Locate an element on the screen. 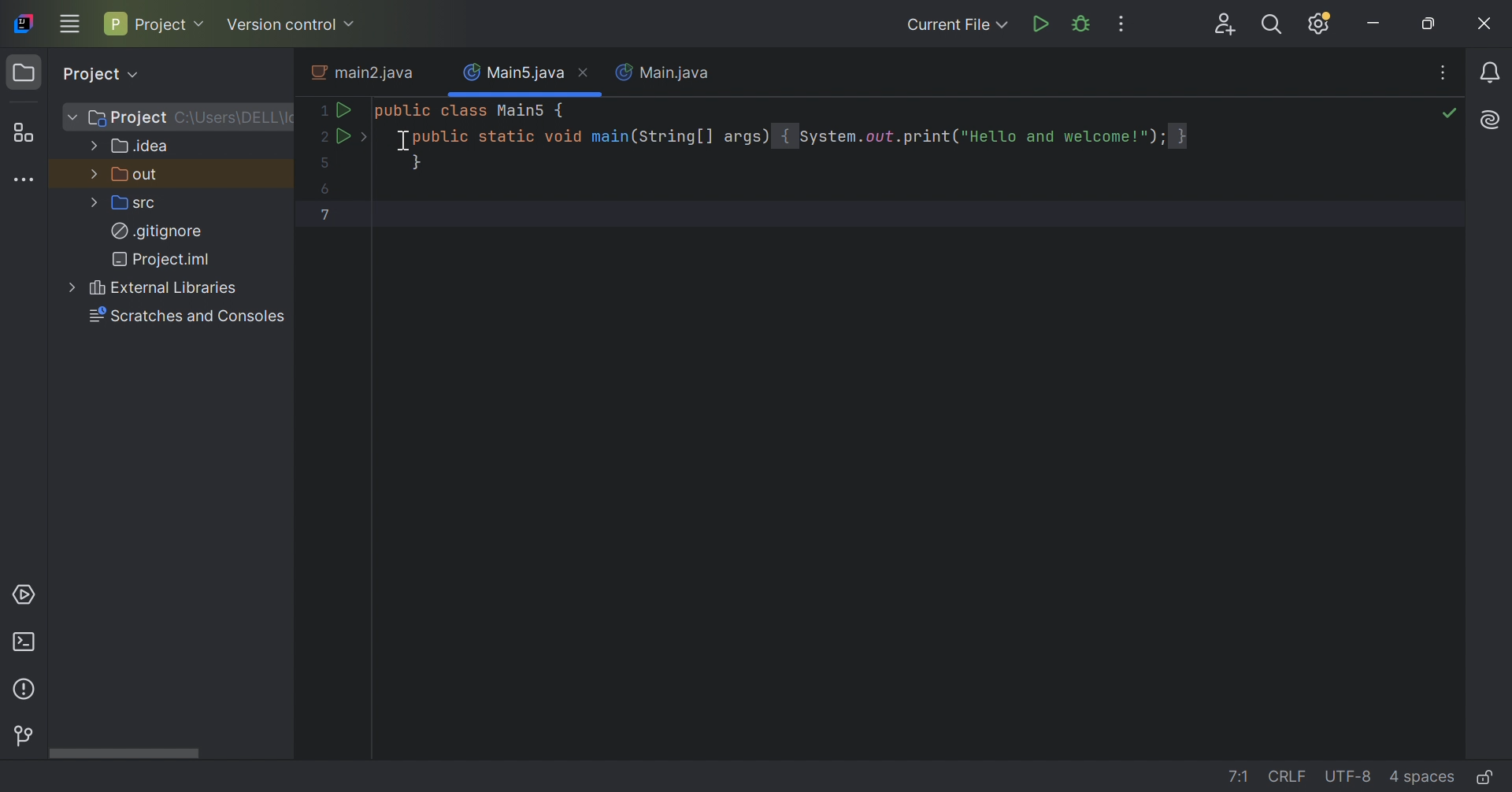 The image size is (1512, 792). Main.java is located at coordinates (665, 74).